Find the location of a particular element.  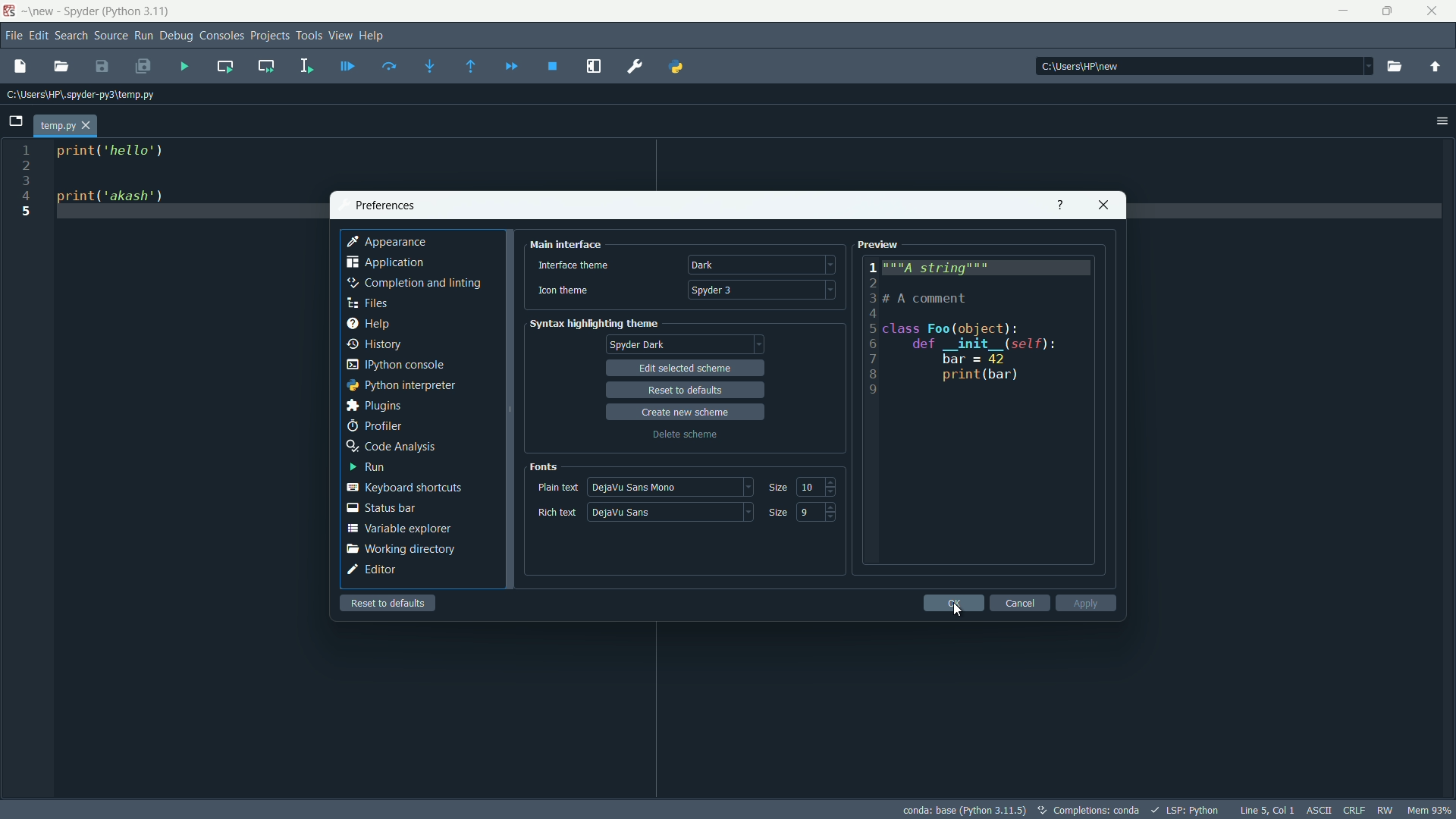

close is located at coordinates (1105, 204).